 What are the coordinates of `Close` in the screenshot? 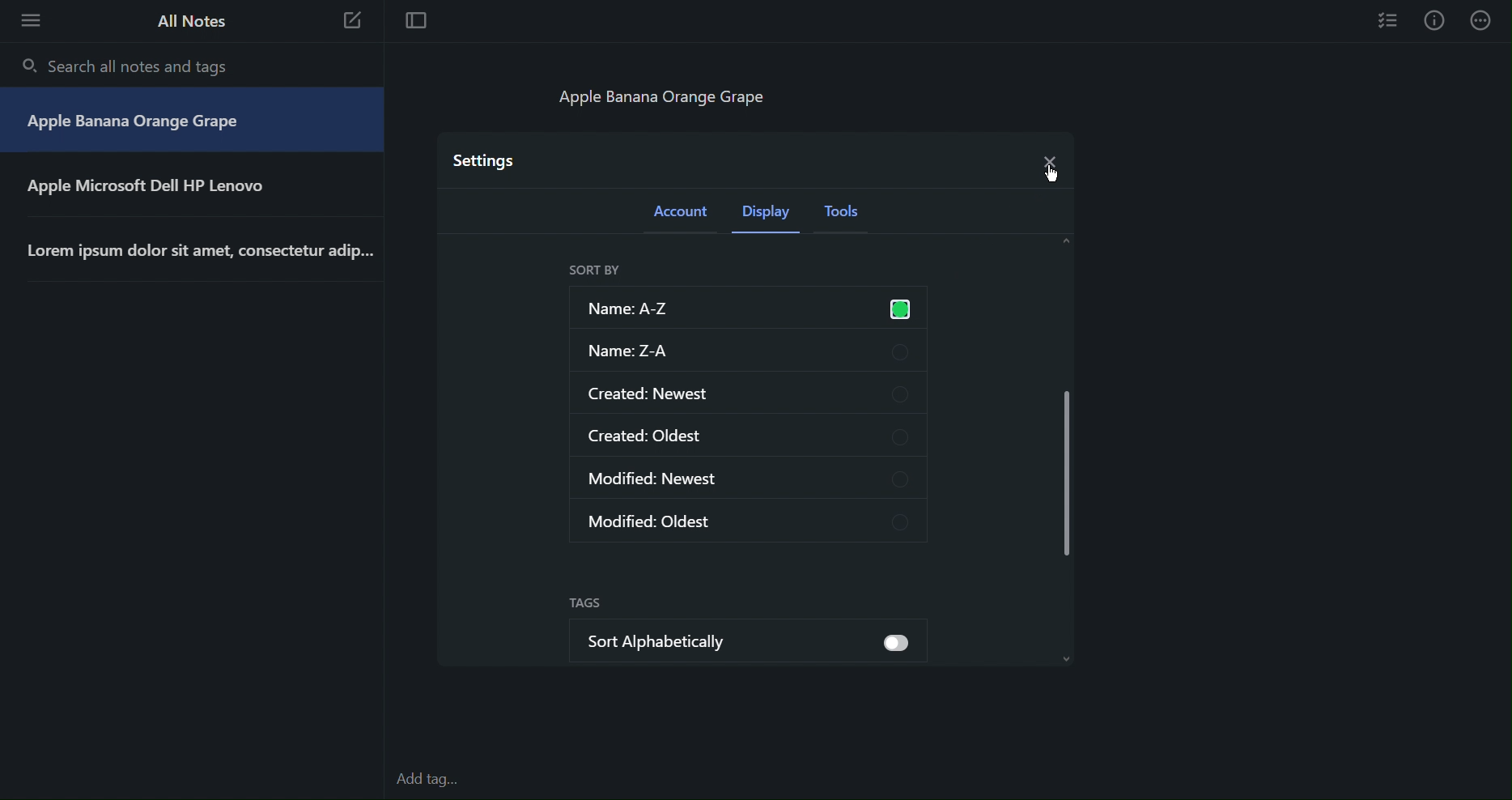 It's located at (1047, 158).